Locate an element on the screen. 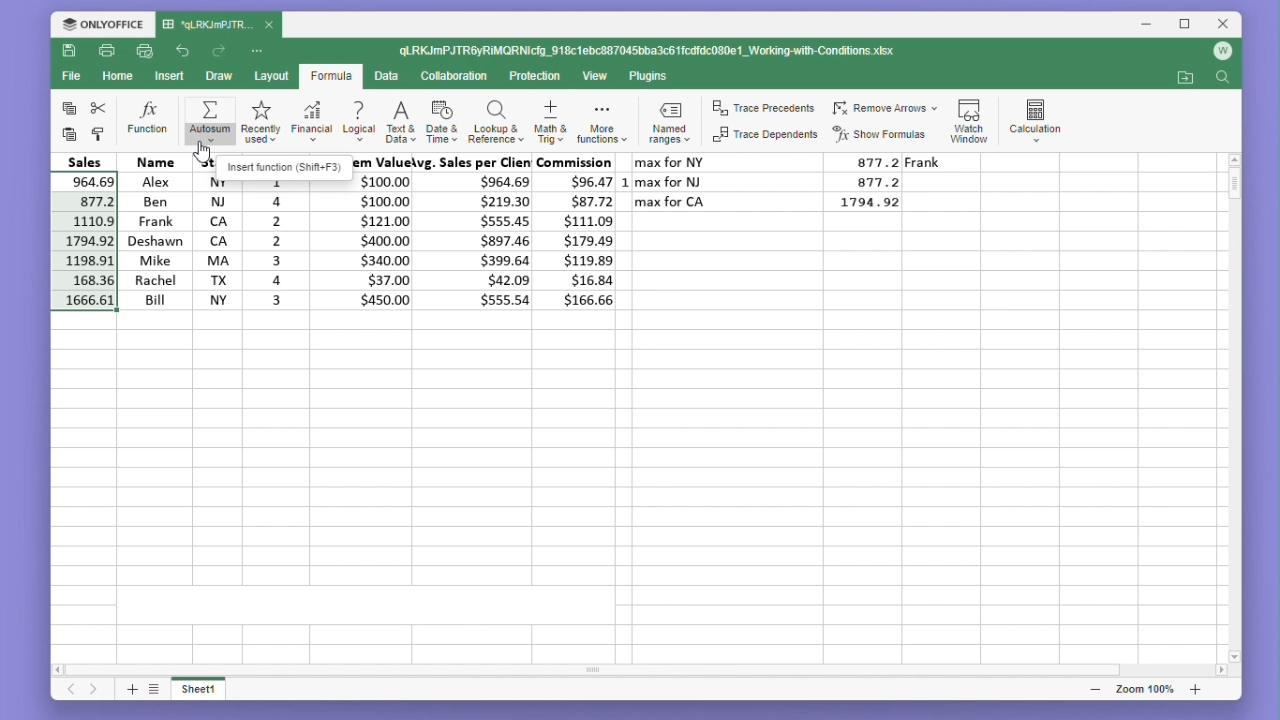 This screenshot has width=1280, height=720. Collaboration is located at coordinates (453, 76).